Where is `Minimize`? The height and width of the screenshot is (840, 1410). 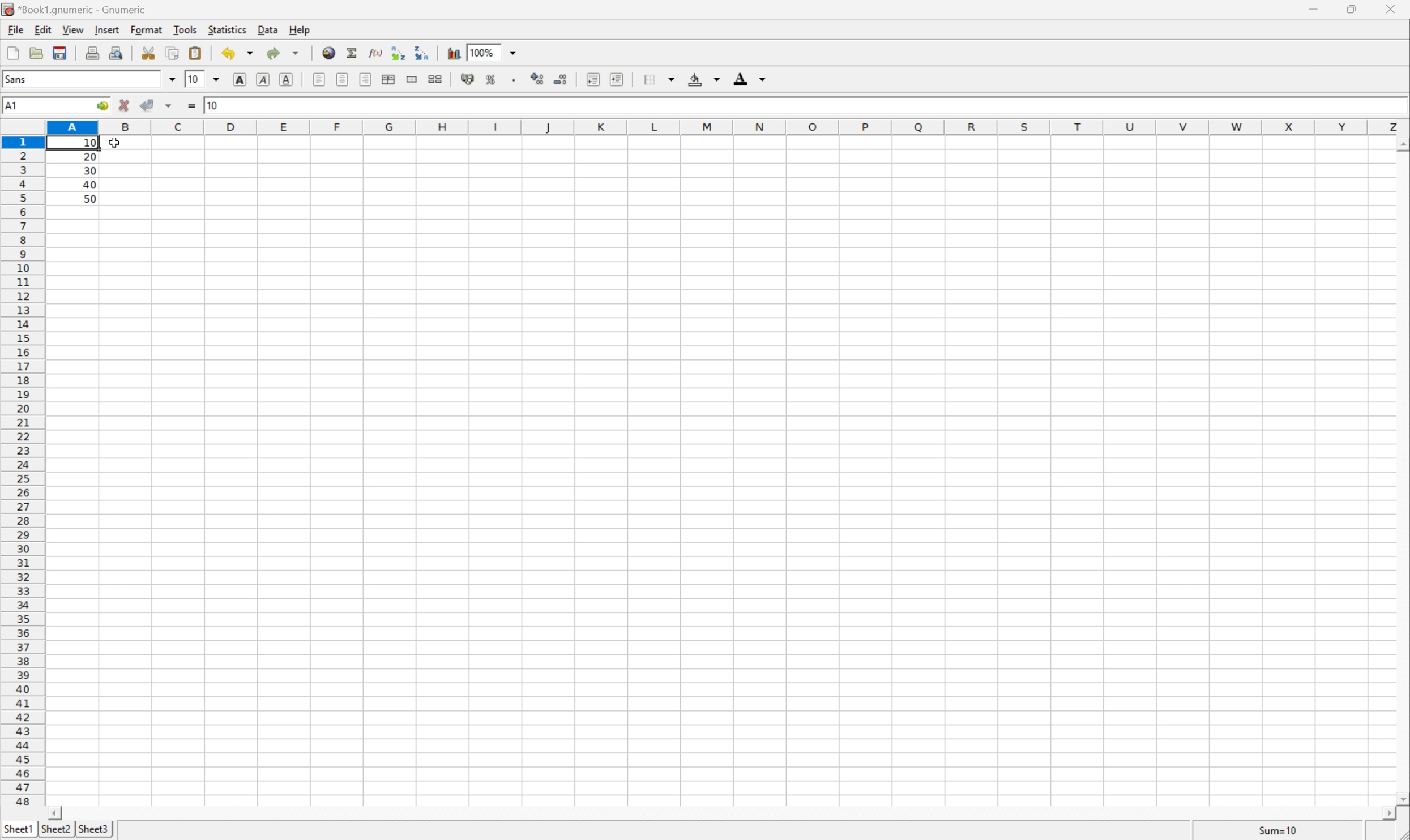
Minimize is located at coordinates (1310, 7).